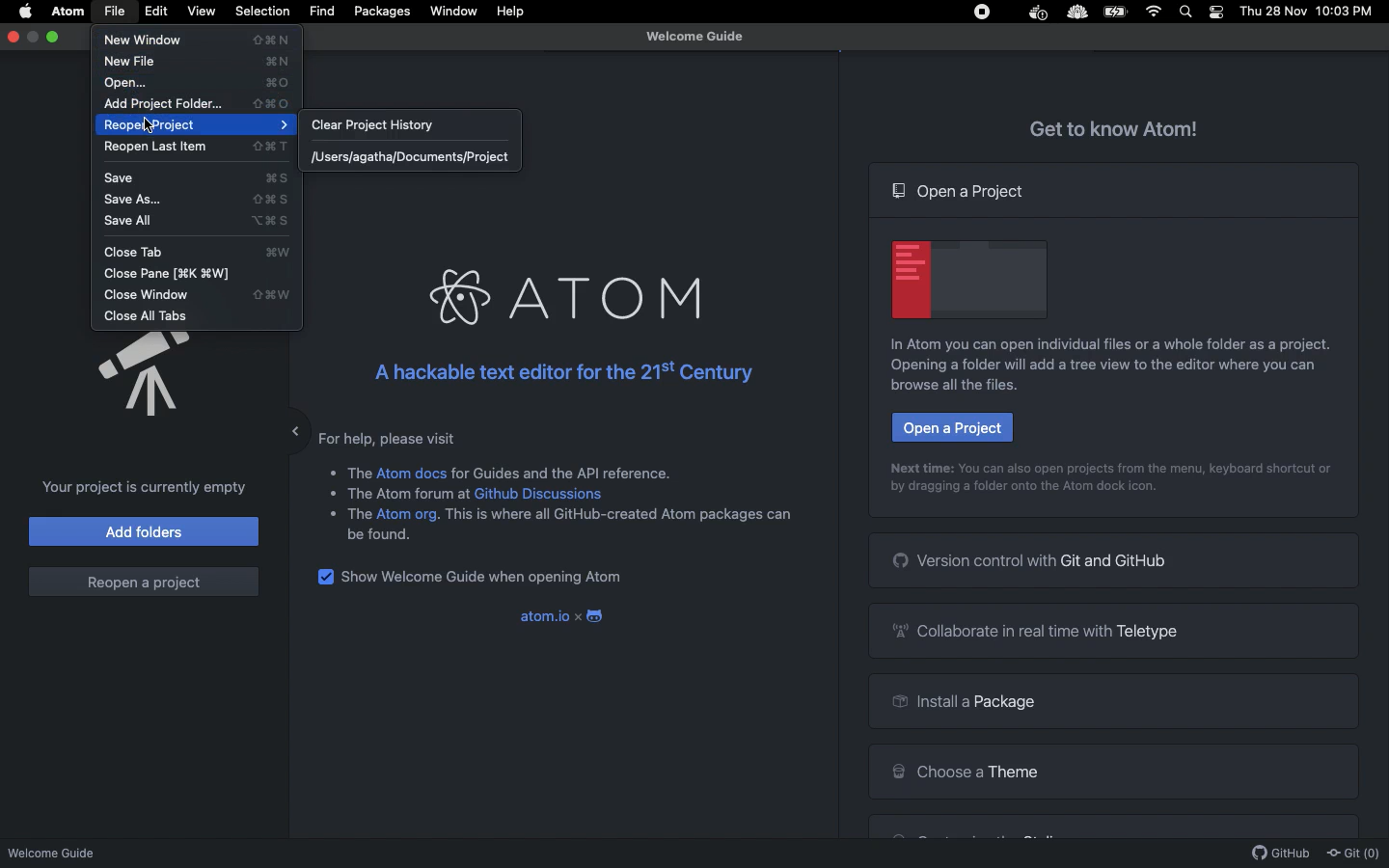  What do you see at coordinates (411, 497) in the screenshot?
I see `text` at bounding box center [411, 497].